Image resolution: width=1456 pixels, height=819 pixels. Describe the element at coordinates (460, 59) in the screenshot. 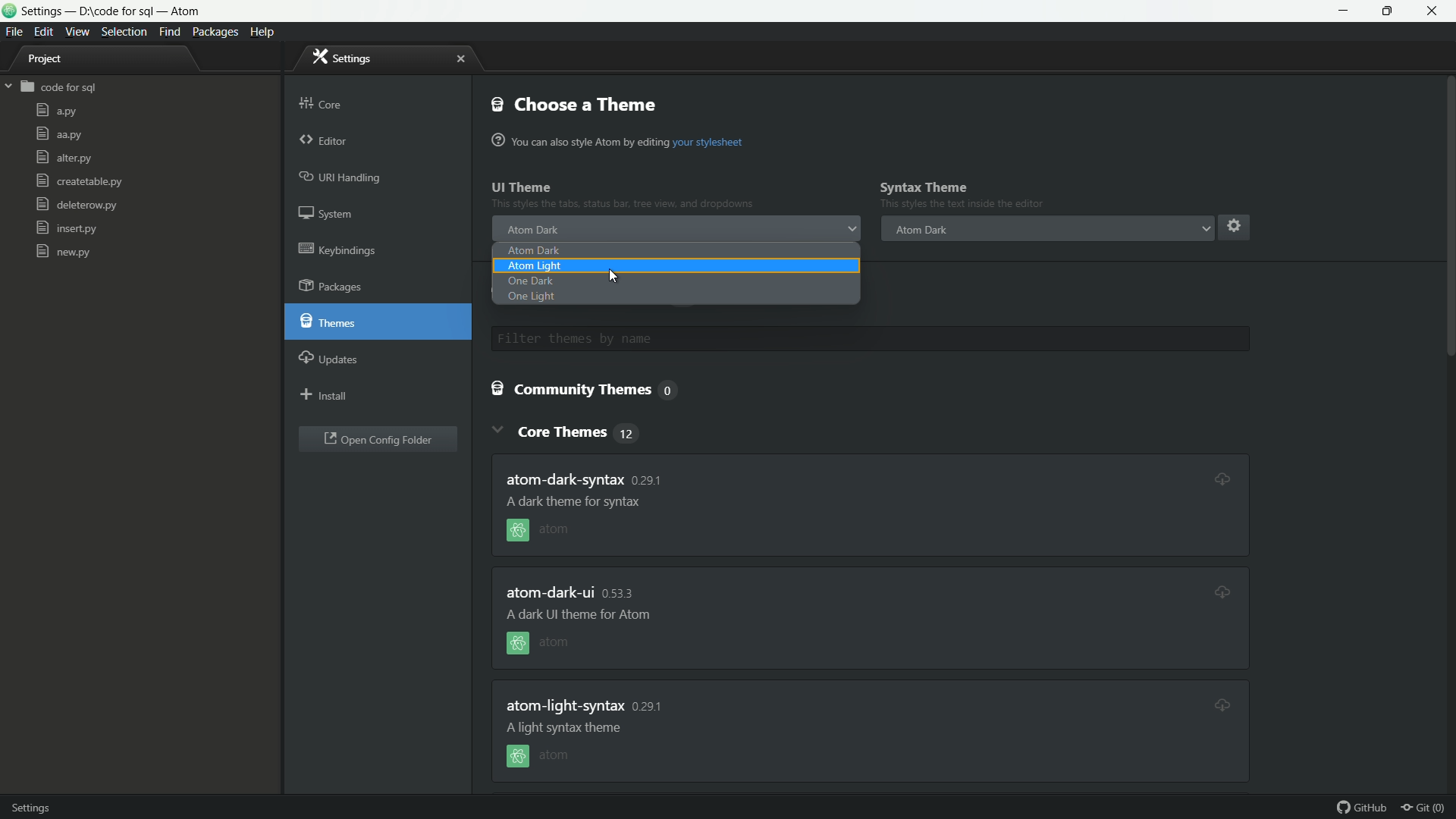

I see `close` at that location.